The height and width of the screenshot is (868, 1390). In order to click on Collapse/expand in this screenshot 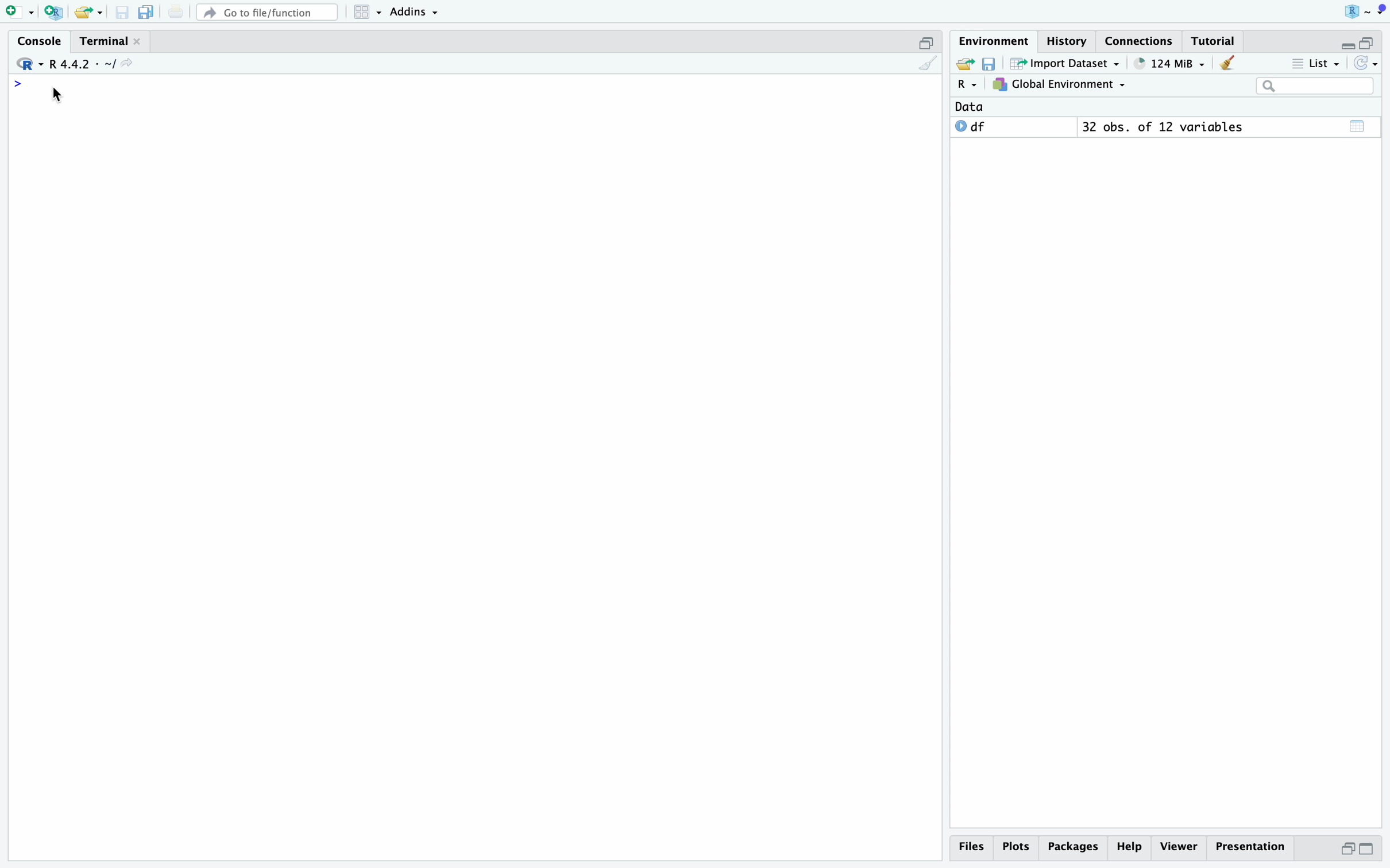, I will do `click(1346, 46)`.